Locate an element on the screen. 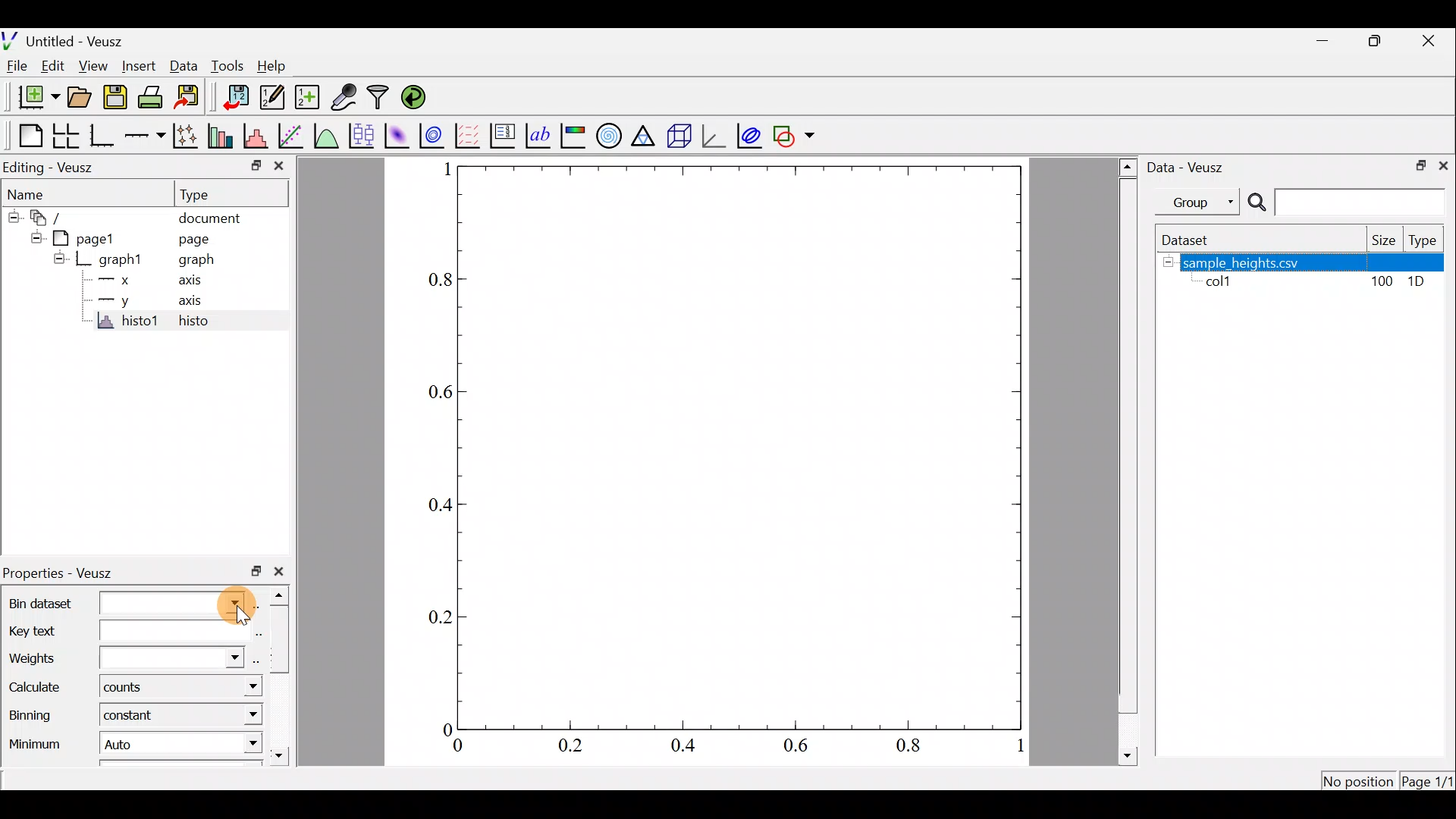  0.4 is located at coordinates (438, 505).